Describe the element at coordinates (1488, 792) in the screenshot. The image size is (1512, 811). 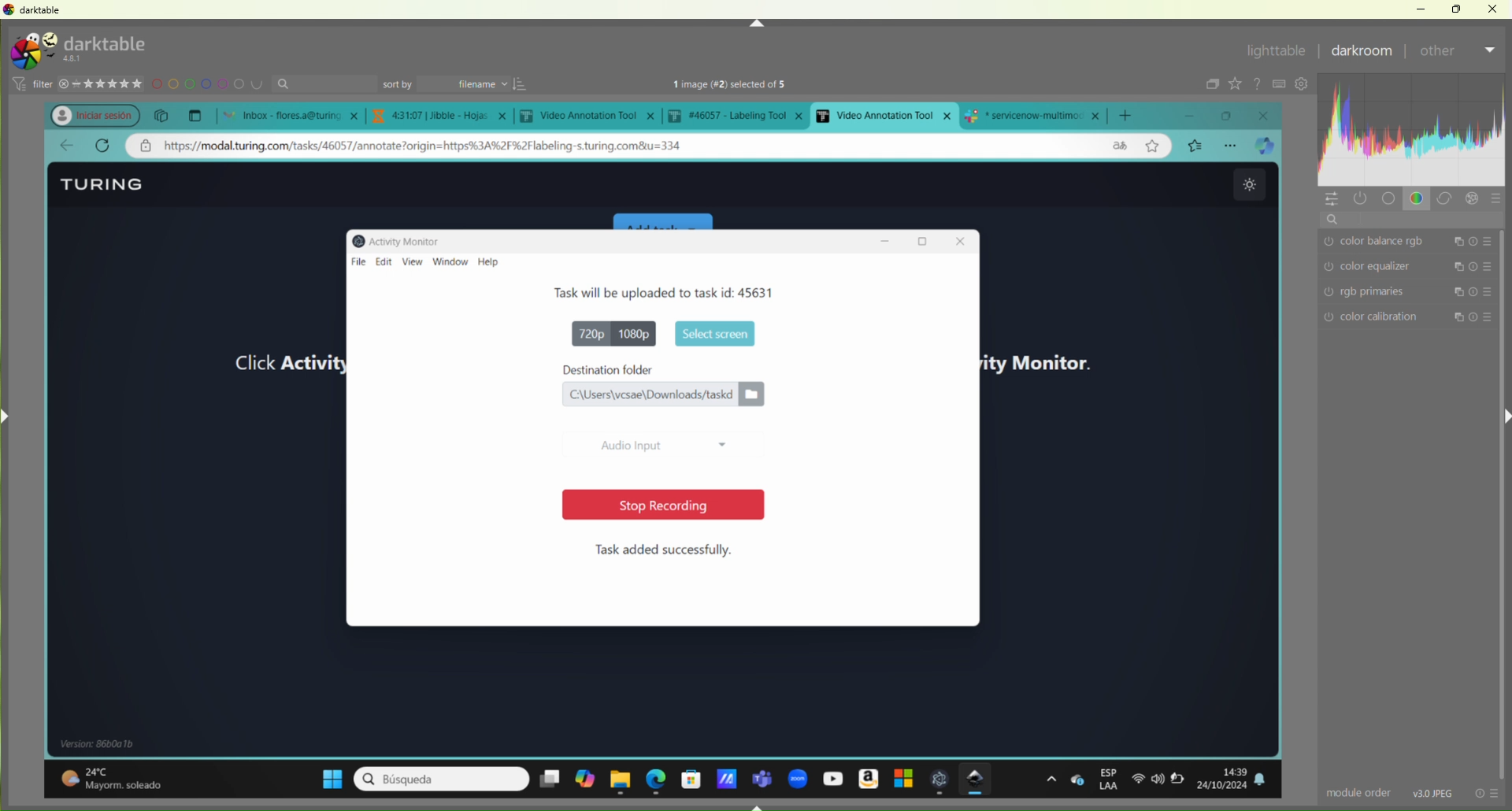
I see `info` at that location.